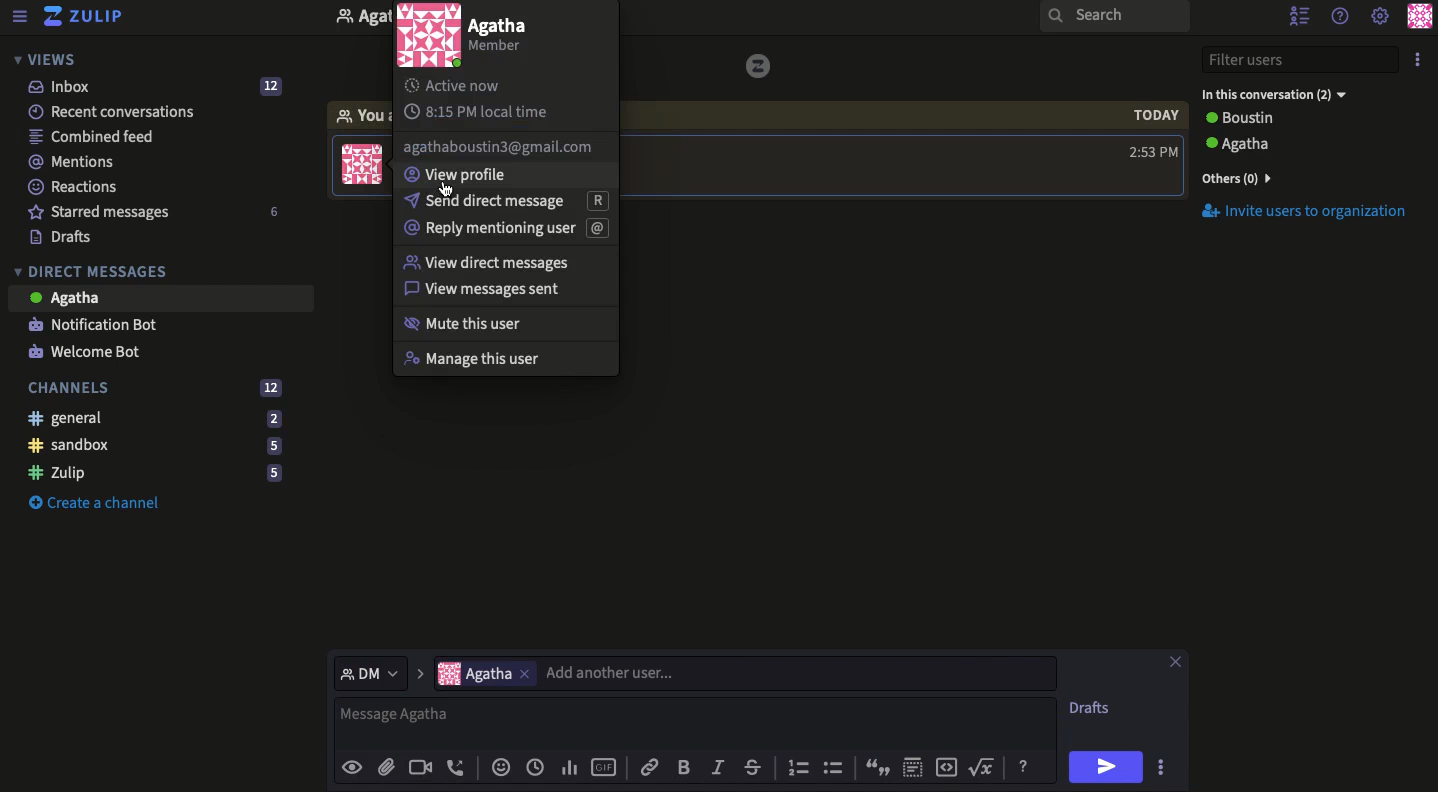 The width and height of the screenshot is (1438, 792). Describe the element at coordinates (68, 237) in the screenshot. I see `Drafts` at that location.